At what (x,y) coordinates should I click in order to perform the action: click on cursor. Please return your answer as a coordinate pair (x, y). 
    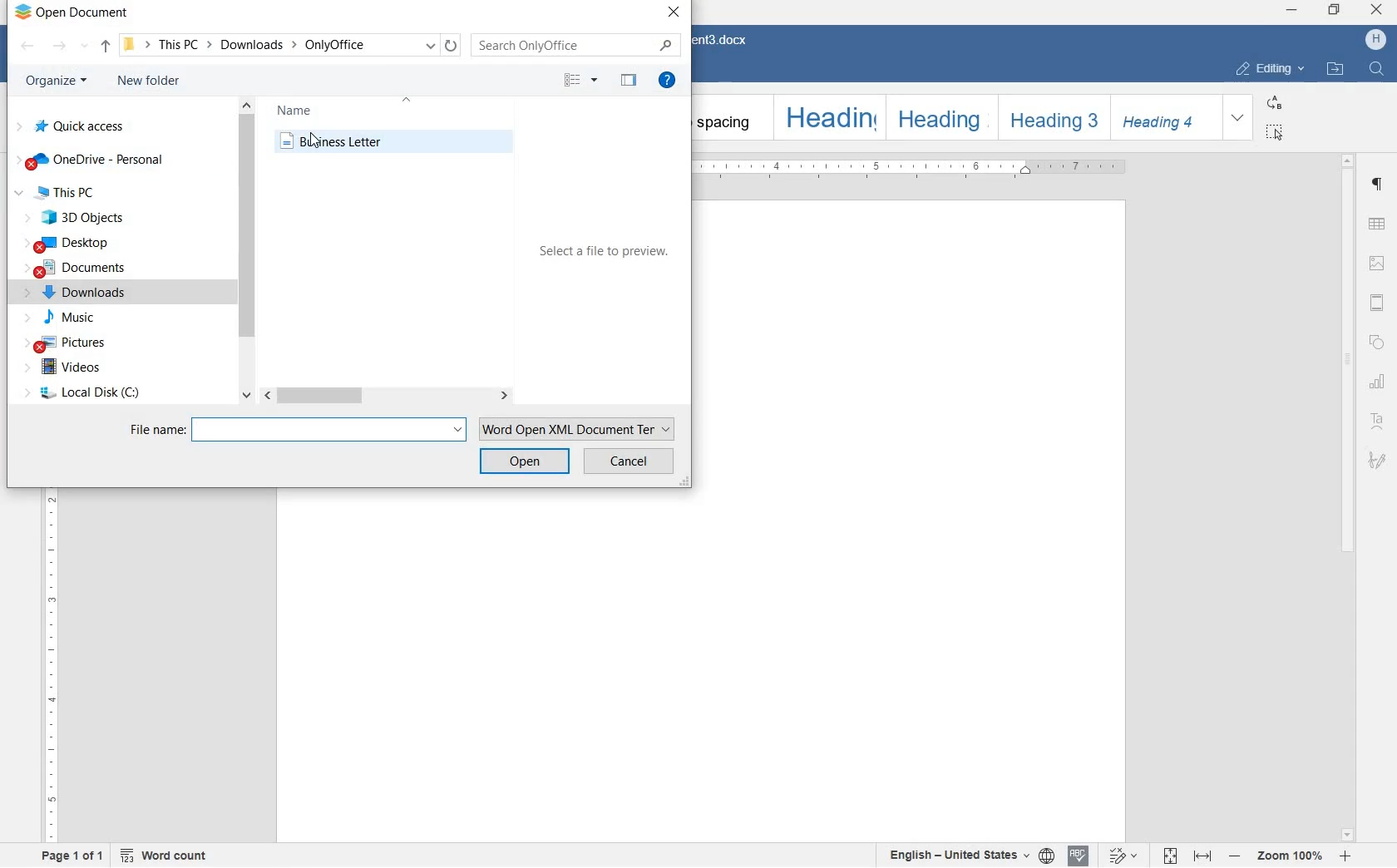
    Looking at the image, I should click on (314, 141).